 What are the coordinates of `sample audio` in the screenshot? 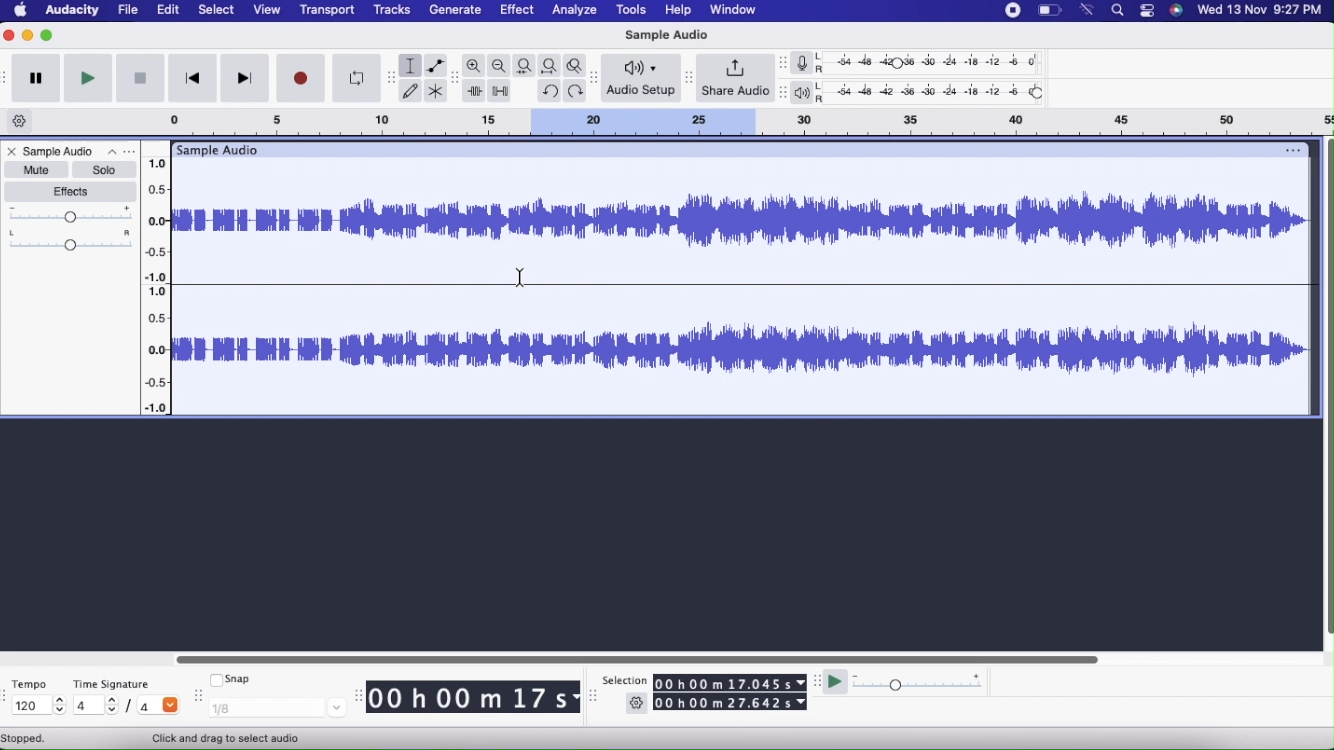 It's located at (216, 149).